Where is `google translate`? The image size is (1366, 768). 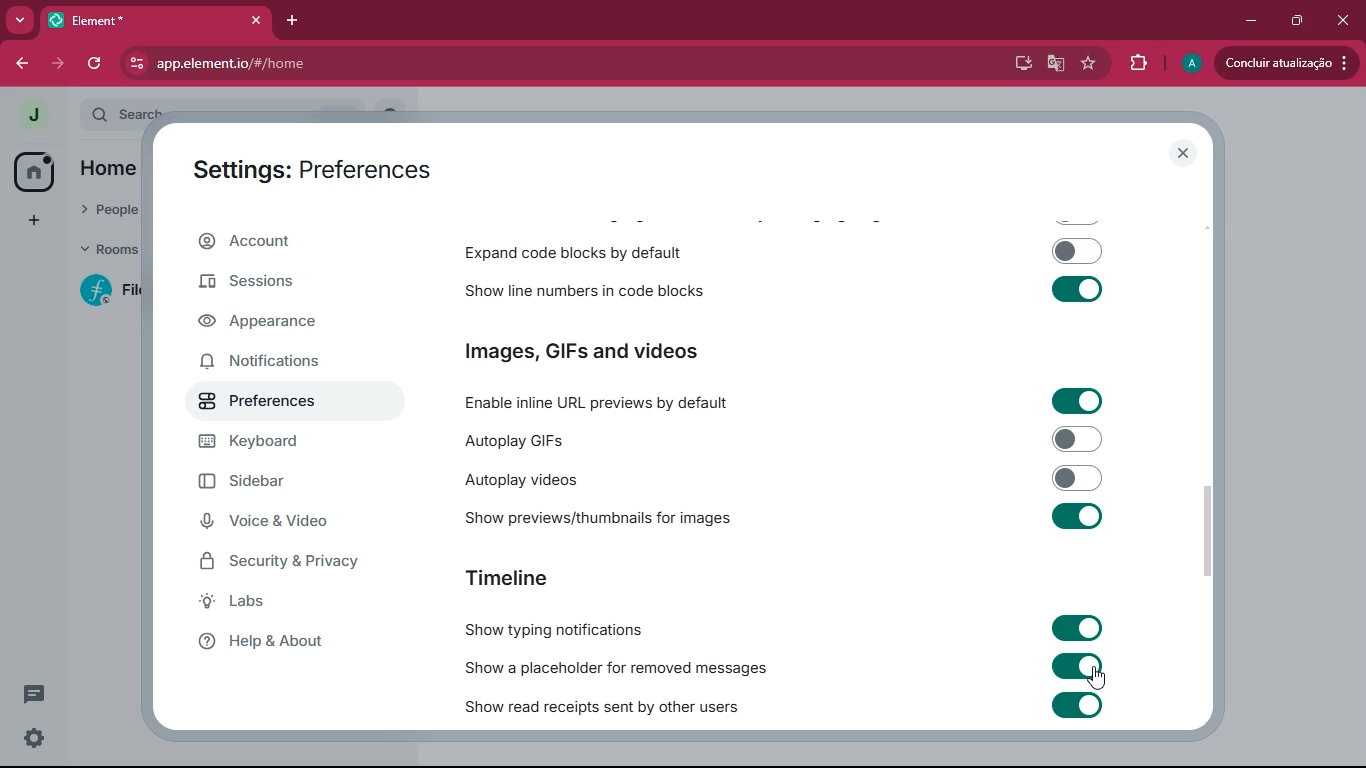 google translate is located at coordinates (1056, 64).